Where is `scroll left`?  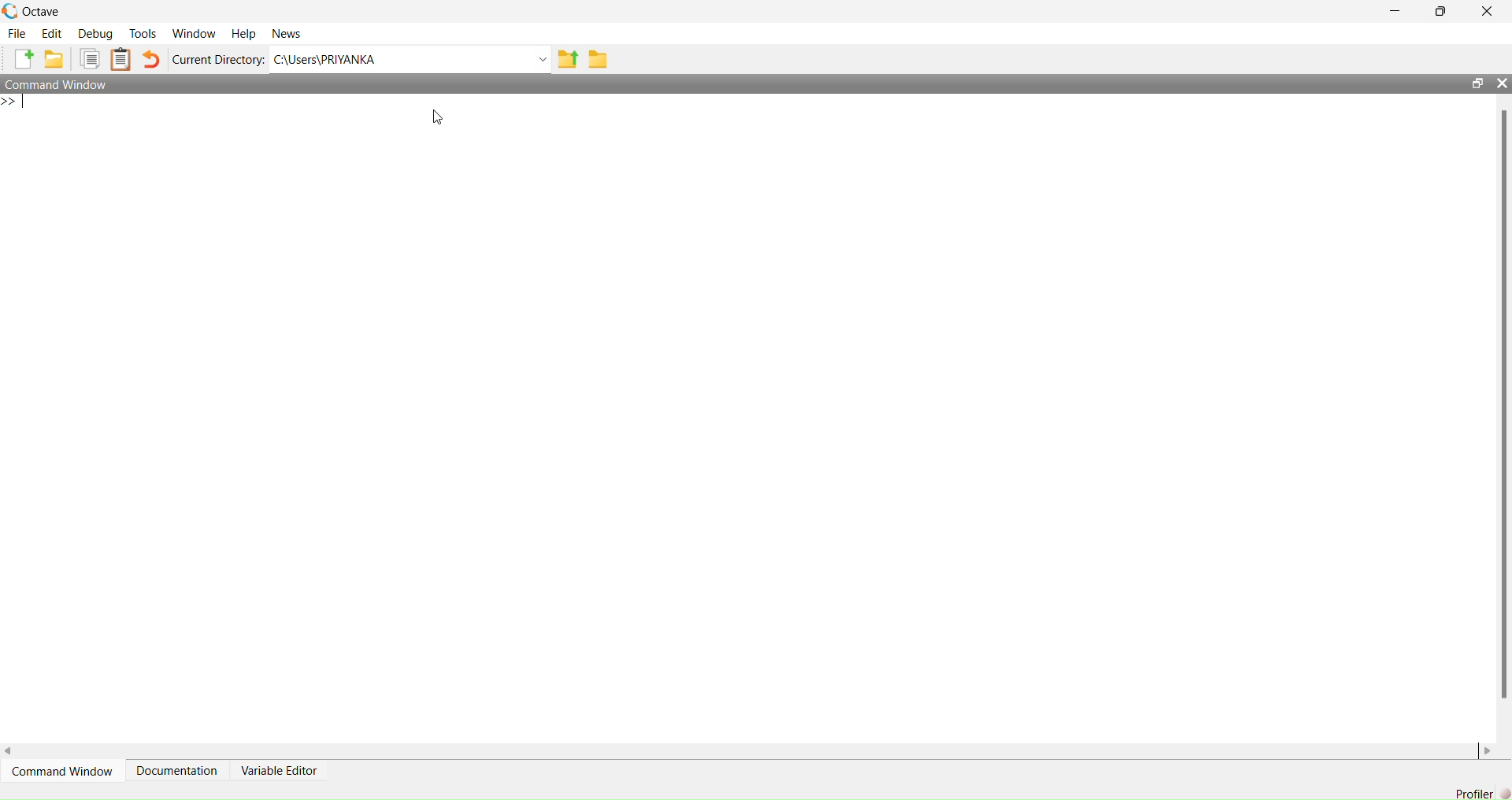 scroll left is located at coordinates (9, 753).